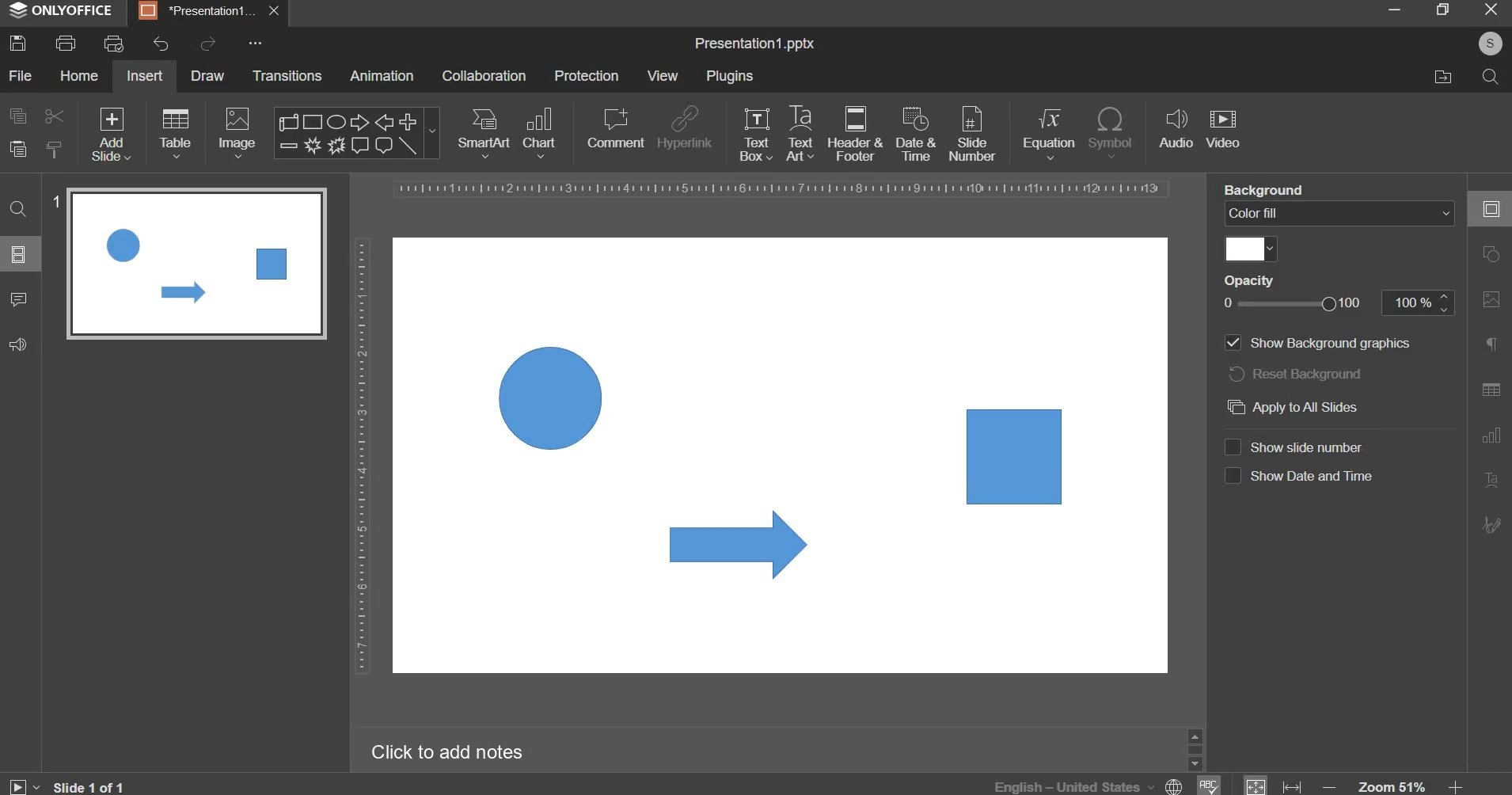  I want to click on paste, so click(18, 150).